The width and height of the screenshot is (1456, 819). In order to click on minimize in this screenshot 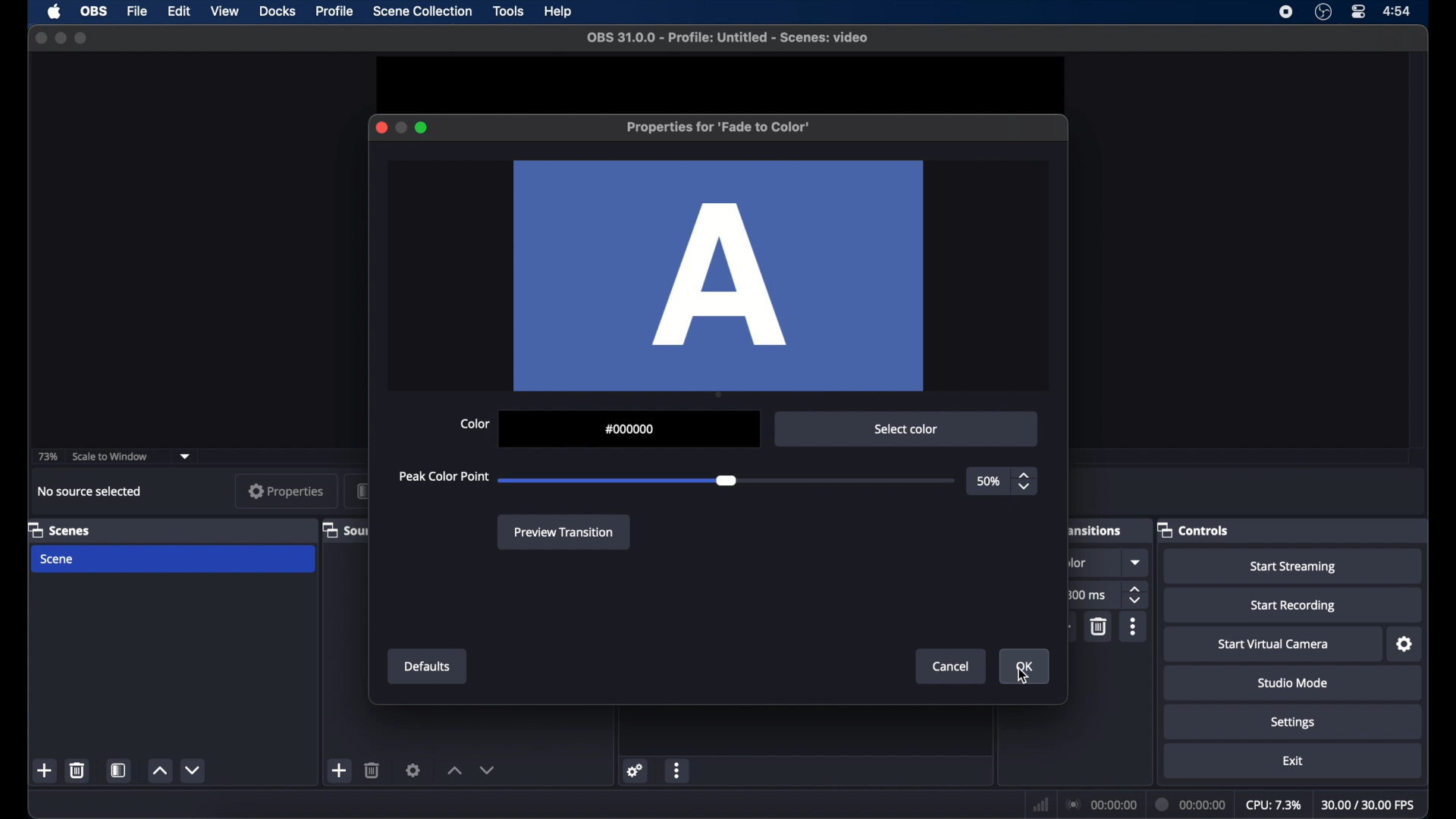, I will do `click(400, 127)`.